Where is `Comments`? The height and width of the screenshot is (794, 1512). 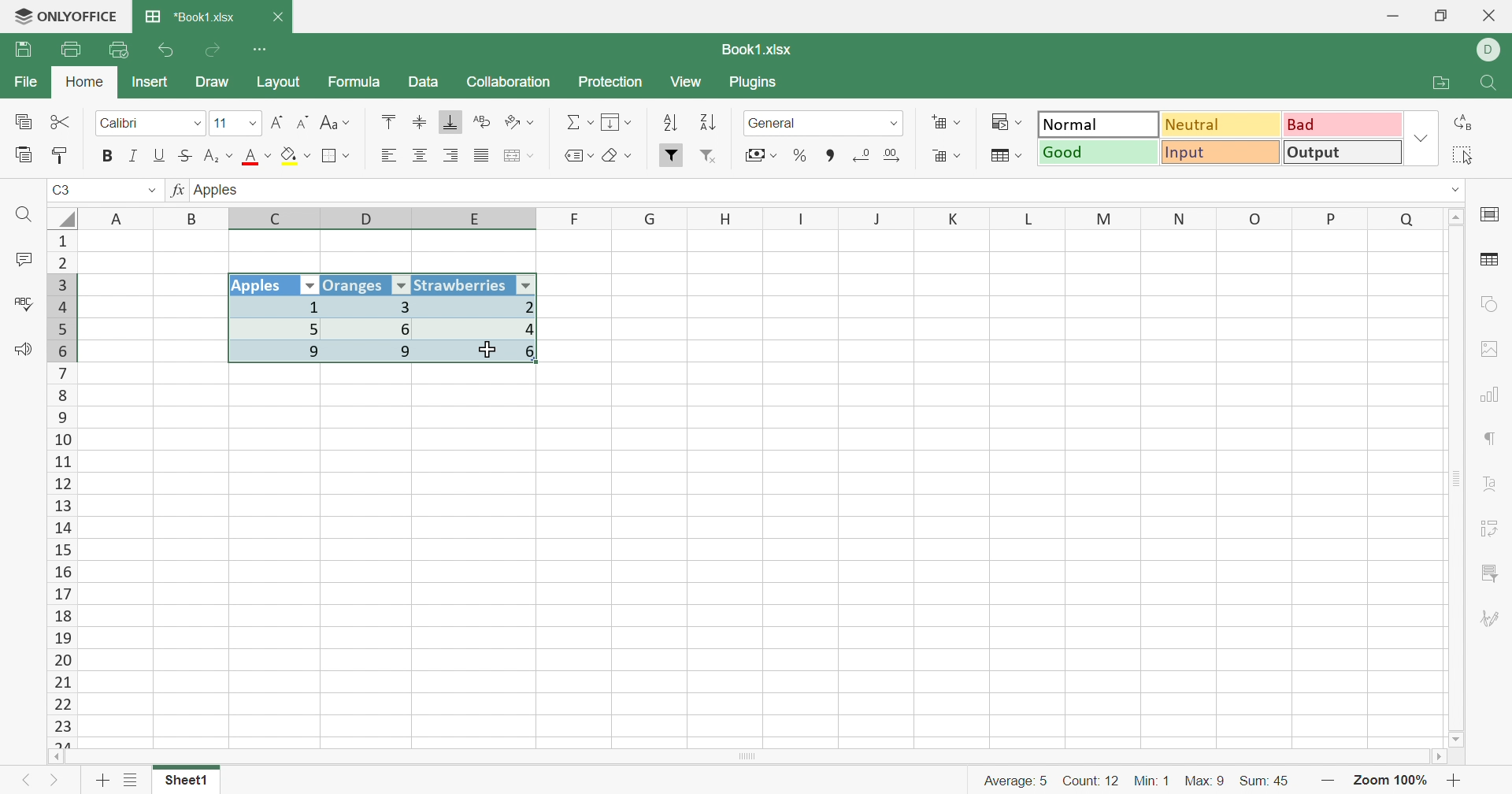
Comments is located at coordinates (20, 262).